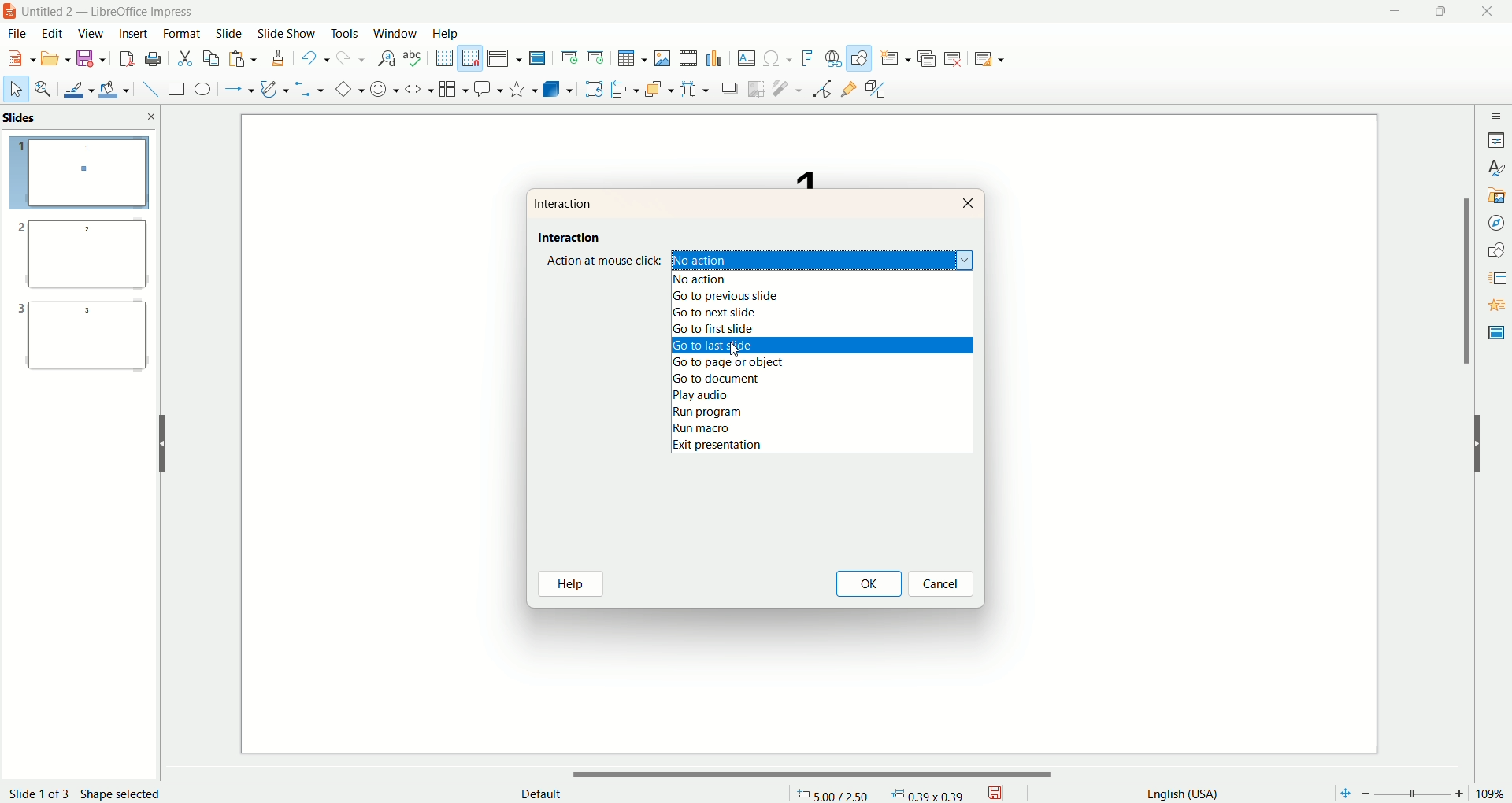 Image resolution: width=1512 pixels, height=803 pixels. Describe the element at coordinates (1180, 793) in the screenshot. I see `english` at that location.